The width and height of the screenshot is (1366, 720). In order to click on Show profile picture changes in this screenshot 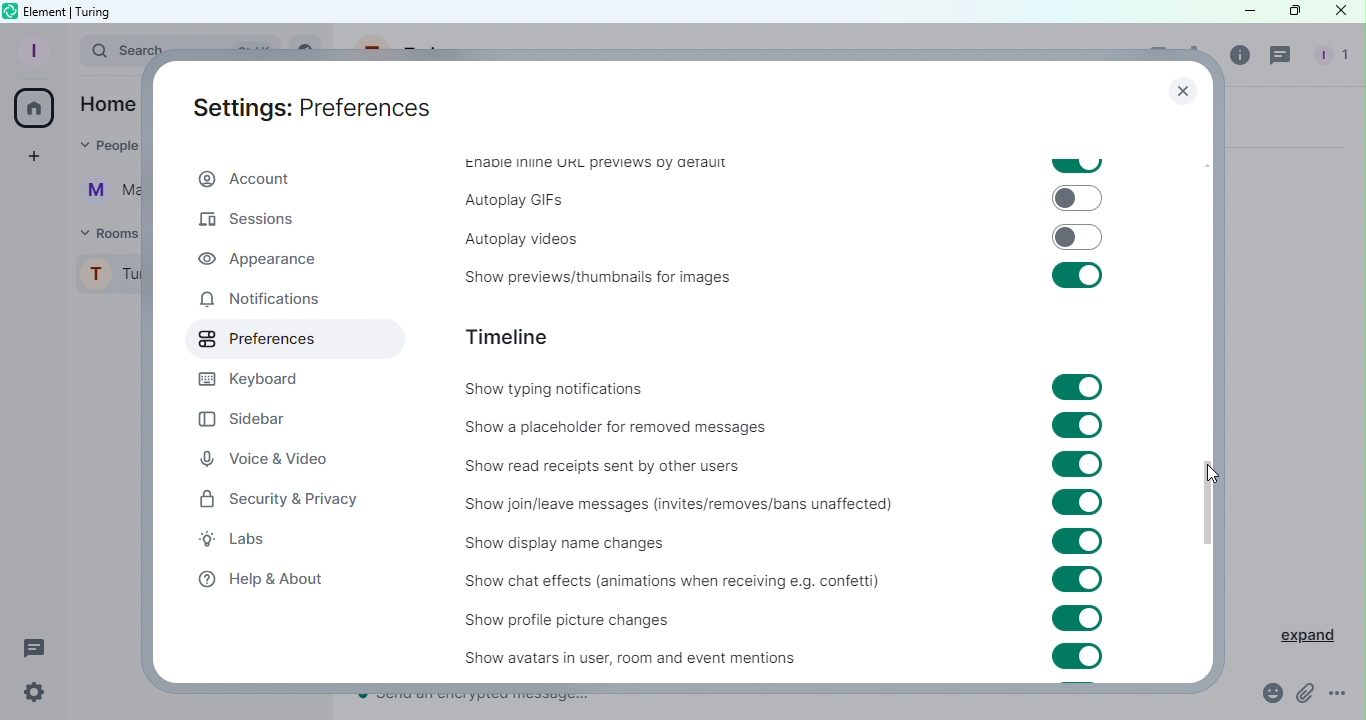, I will do `click(586, 619)`.